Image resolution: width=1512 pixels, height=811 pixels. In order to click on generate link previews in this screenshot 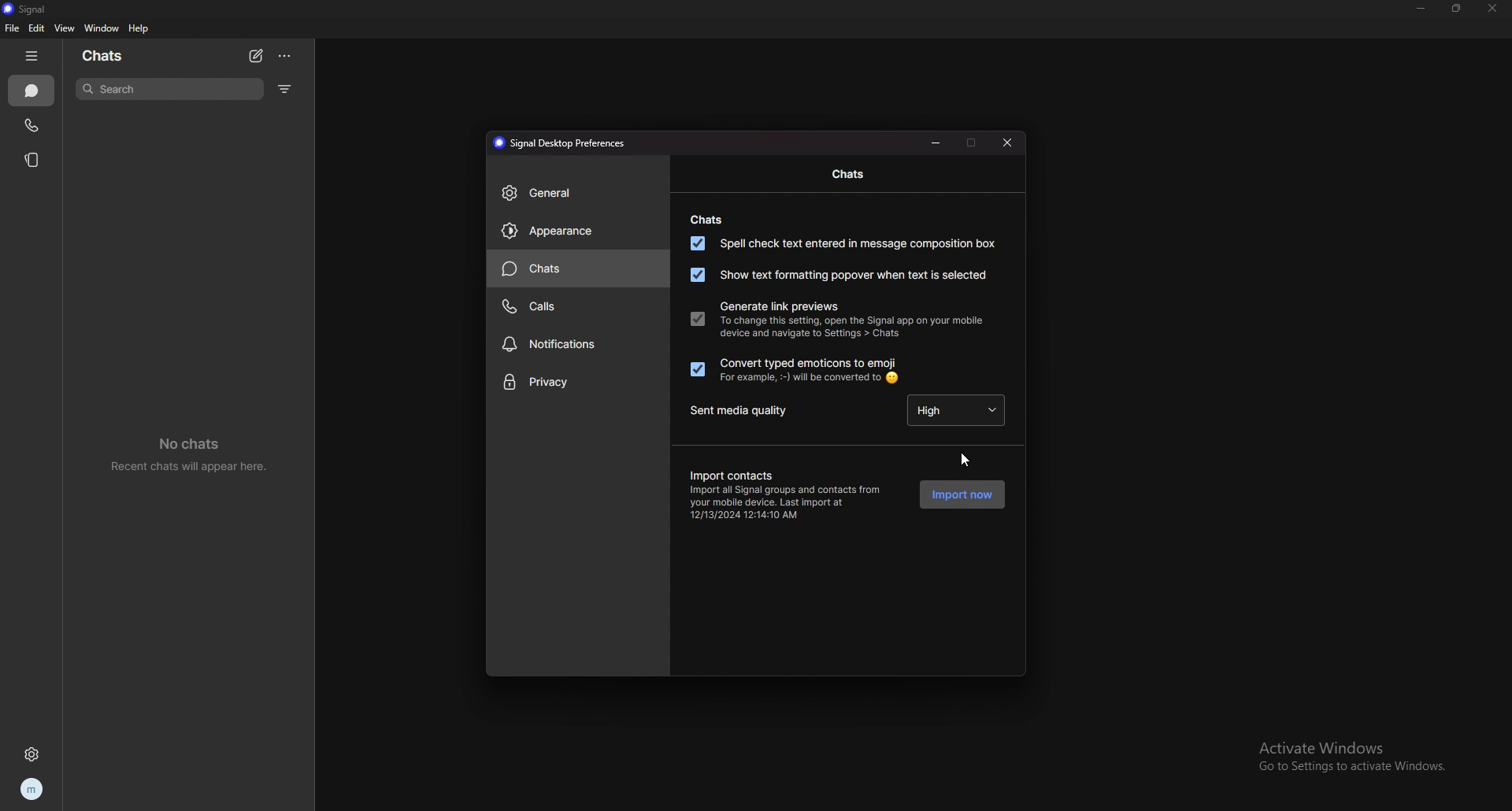, I will do `click(697, 317)`.